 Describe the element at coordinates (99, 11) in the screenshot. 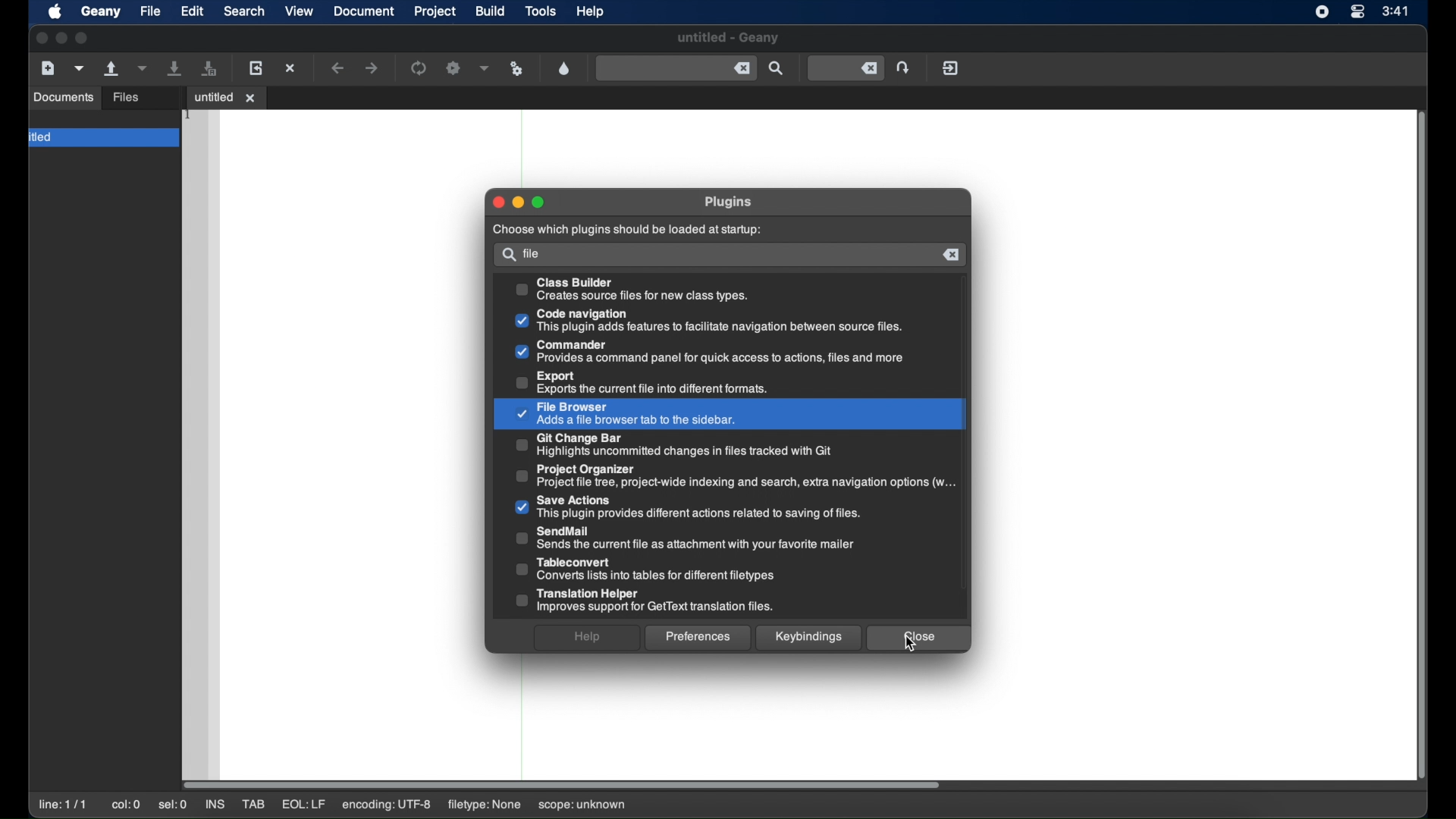

I see `geany` at that location.